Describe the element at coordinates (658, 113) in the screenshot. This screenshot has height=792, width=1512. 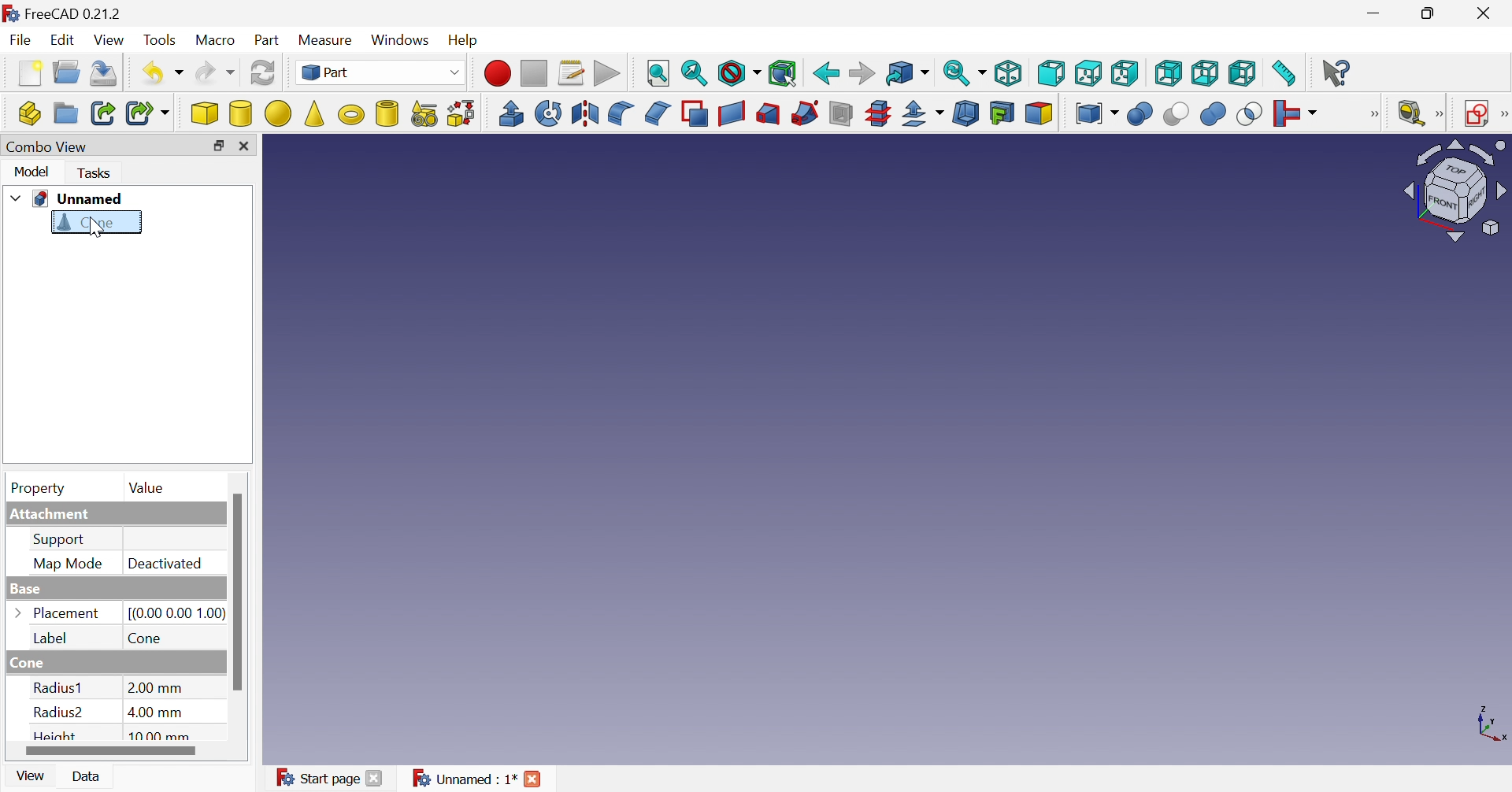
I see `Chamfer` at that location.